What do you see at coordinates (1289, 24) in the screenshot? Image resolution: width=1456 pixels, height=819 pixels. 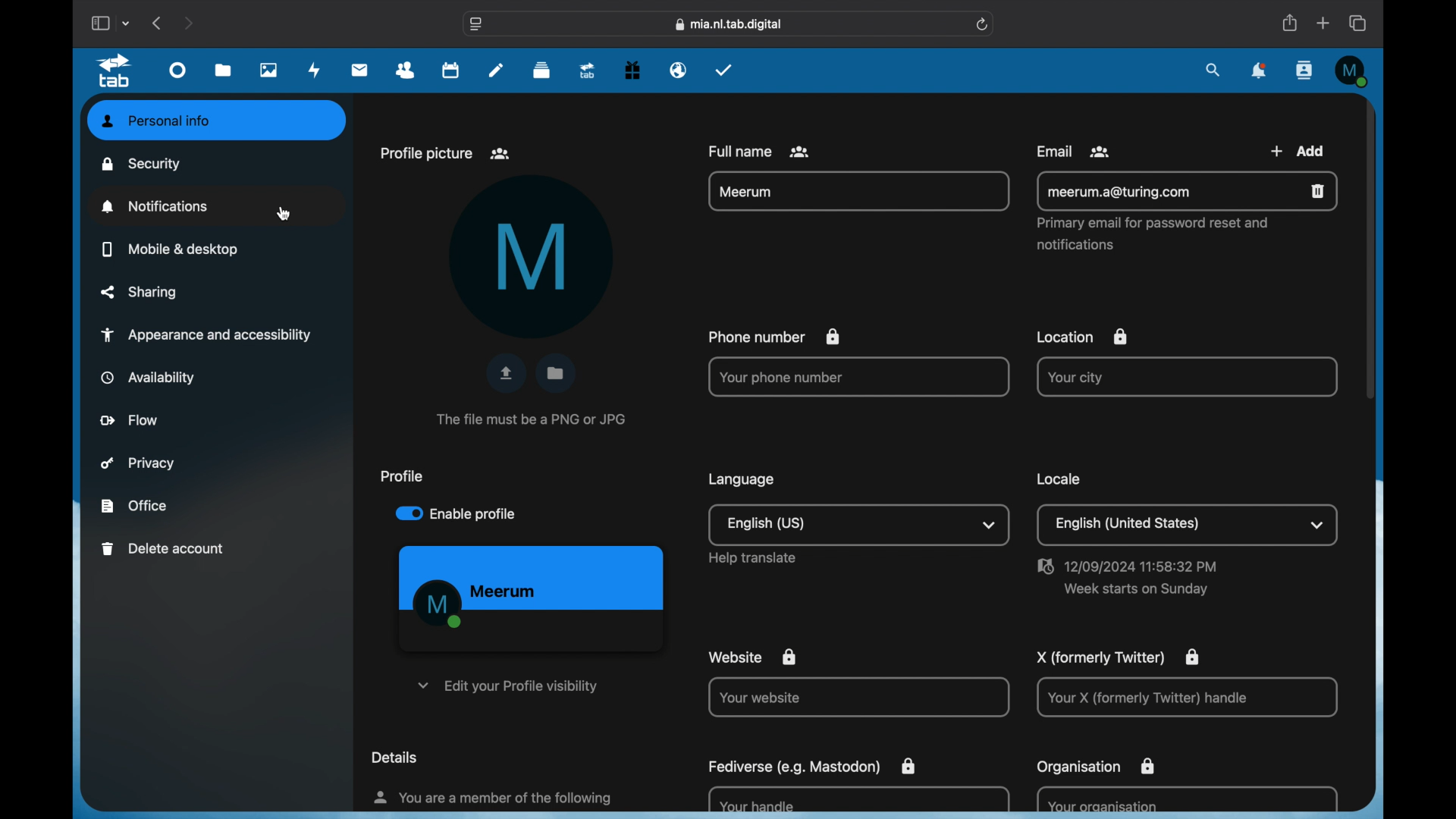 I see `share` at bounding box center [1289, 24].